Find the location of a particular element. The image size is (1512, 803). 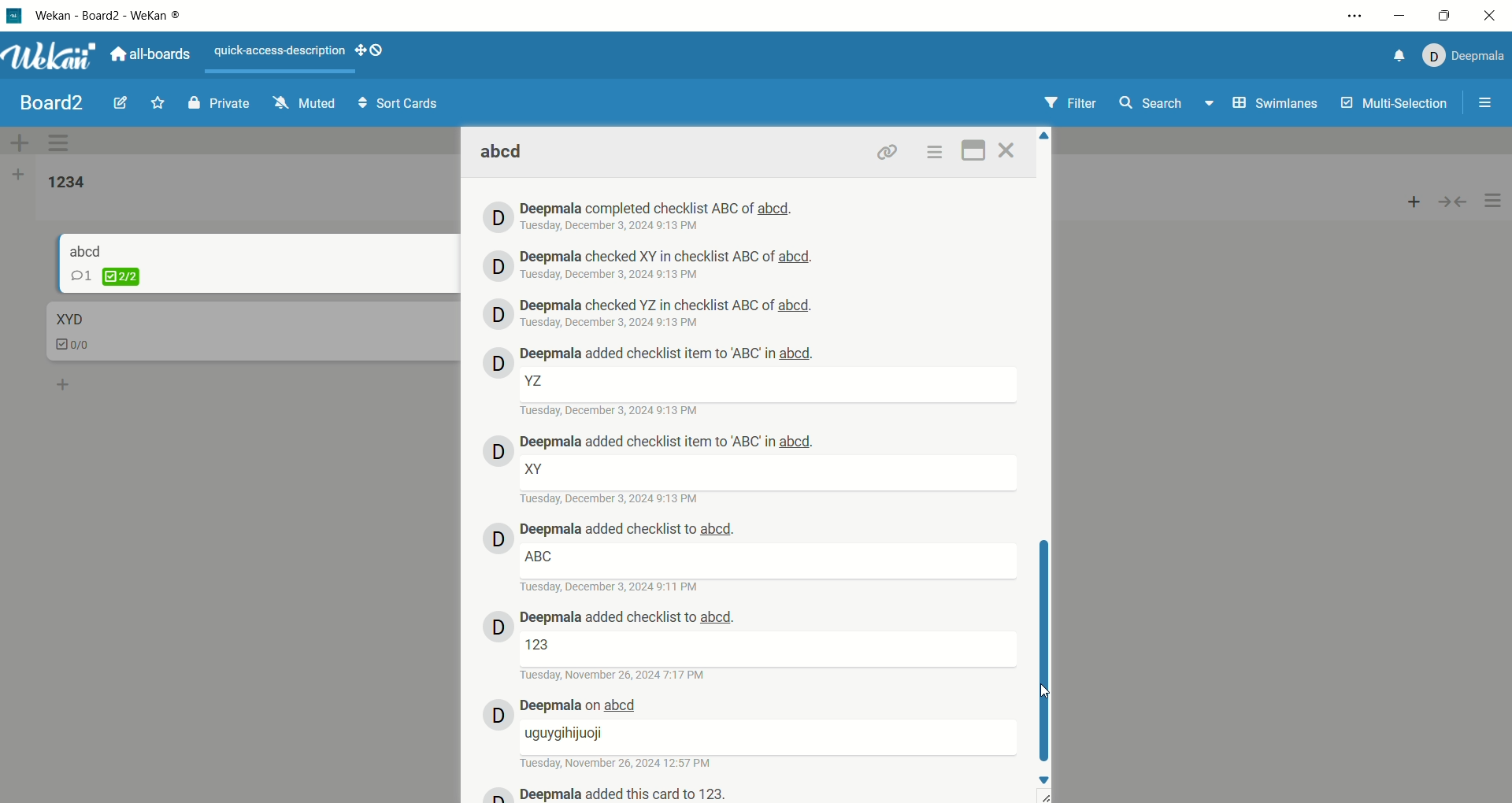

collapse is located at coordinates (1459, 200).